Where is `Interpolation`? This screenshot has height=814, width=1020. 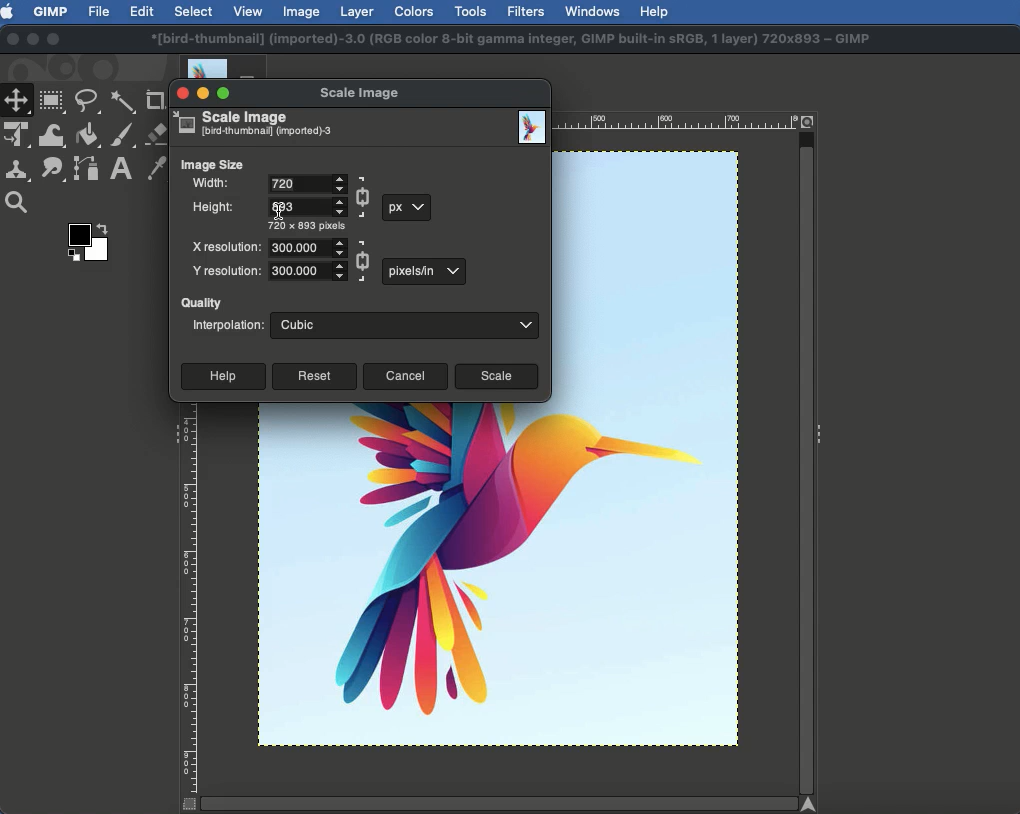
Interpolation is located at coordinates (223, 327).